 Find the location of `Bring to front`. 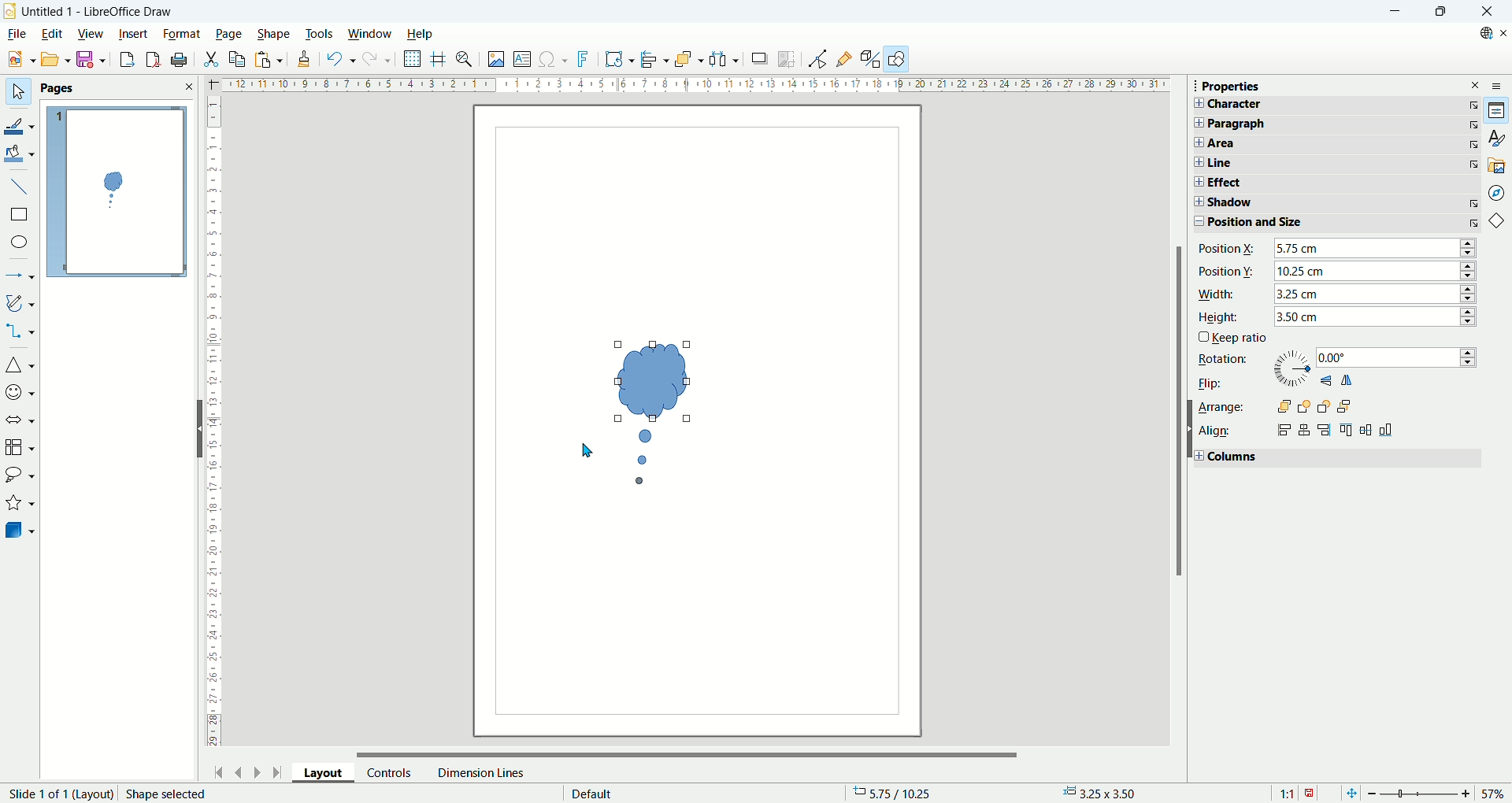

Bring to front is located at coordinates (1284, 407).